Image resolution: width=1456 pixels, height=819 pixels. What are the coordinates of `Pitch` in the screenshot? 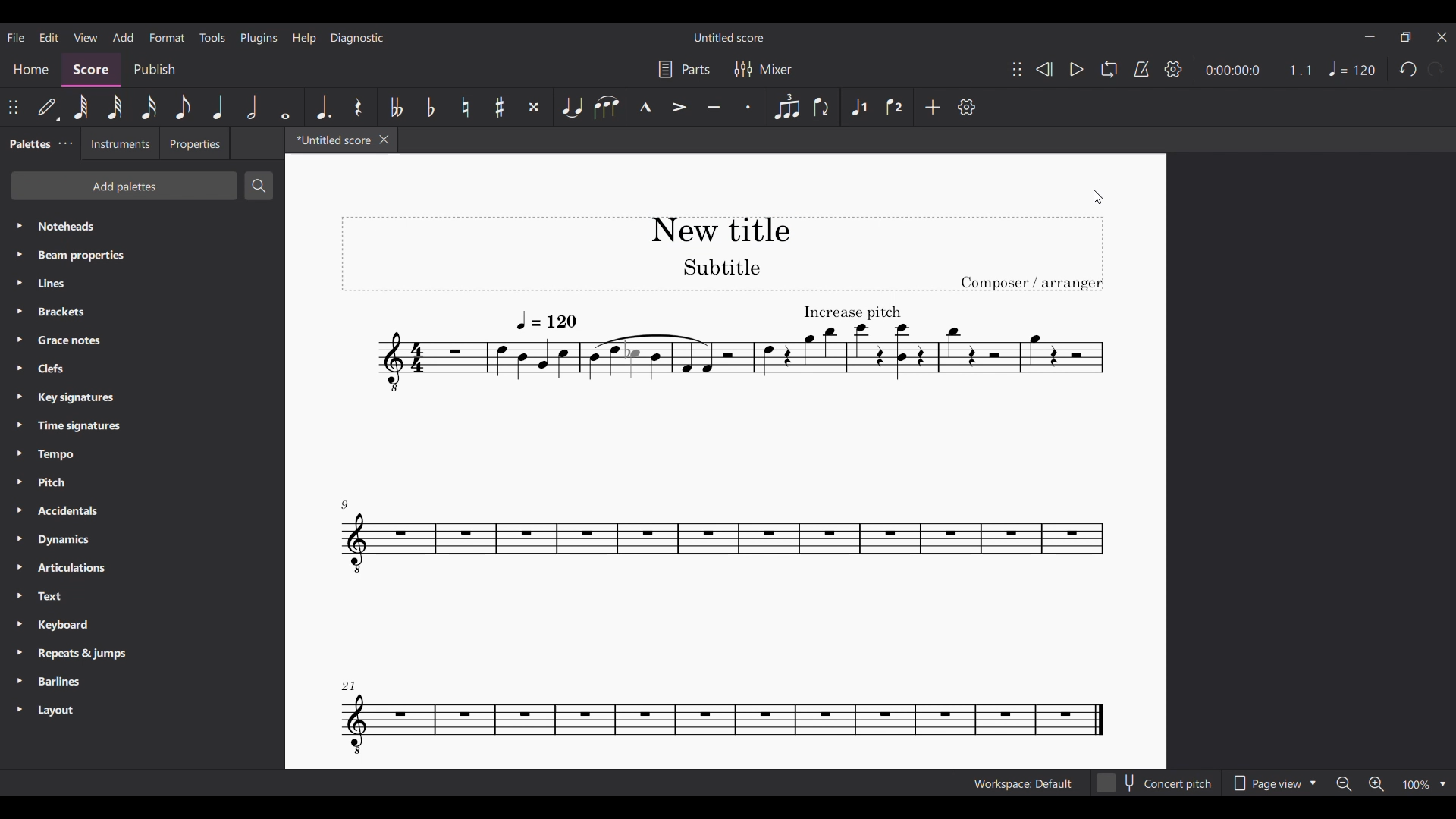 It's located at (143, 482).